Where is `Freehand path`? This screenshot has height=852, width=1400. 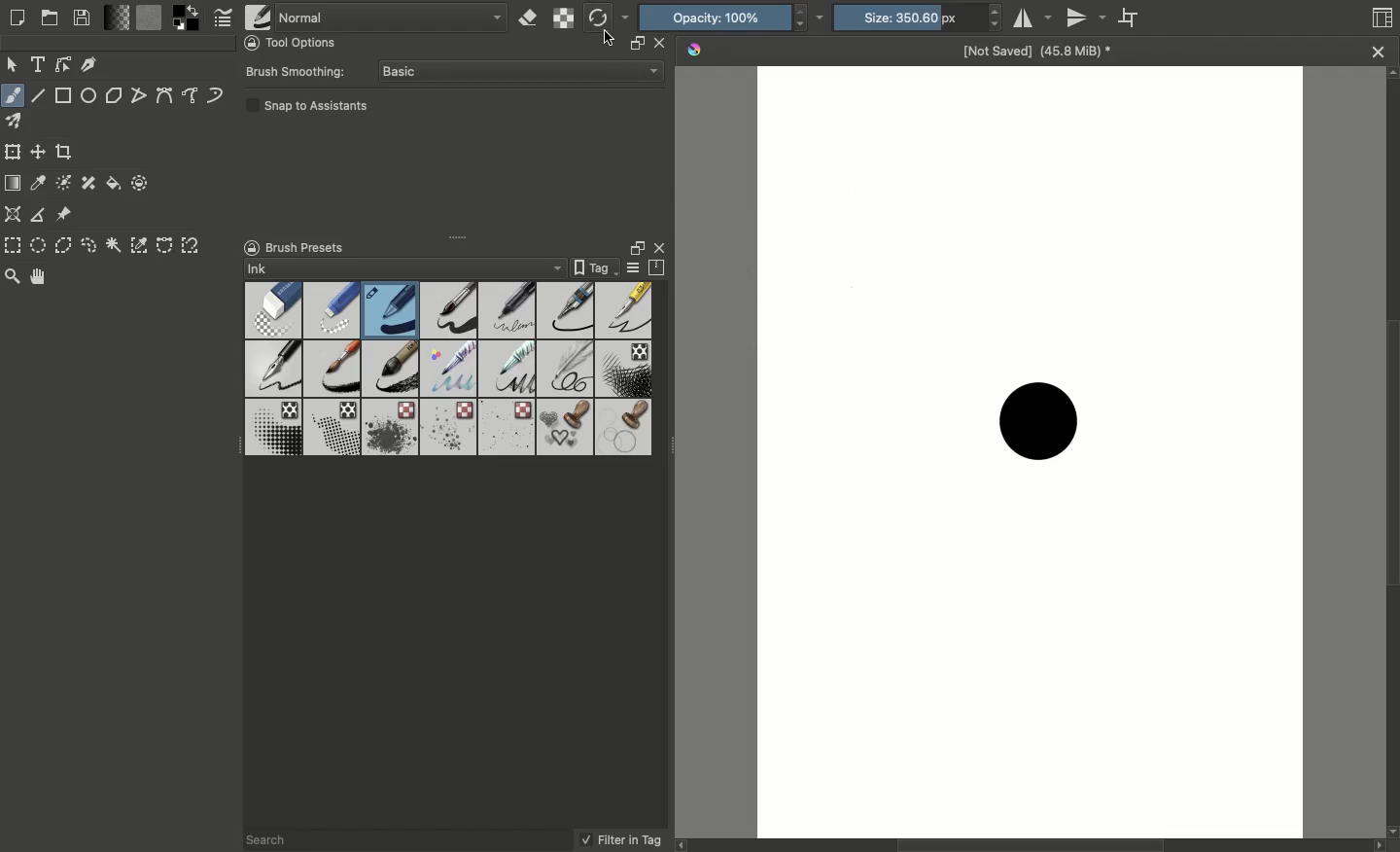 Freehand path is located at coordinates (192, 96).